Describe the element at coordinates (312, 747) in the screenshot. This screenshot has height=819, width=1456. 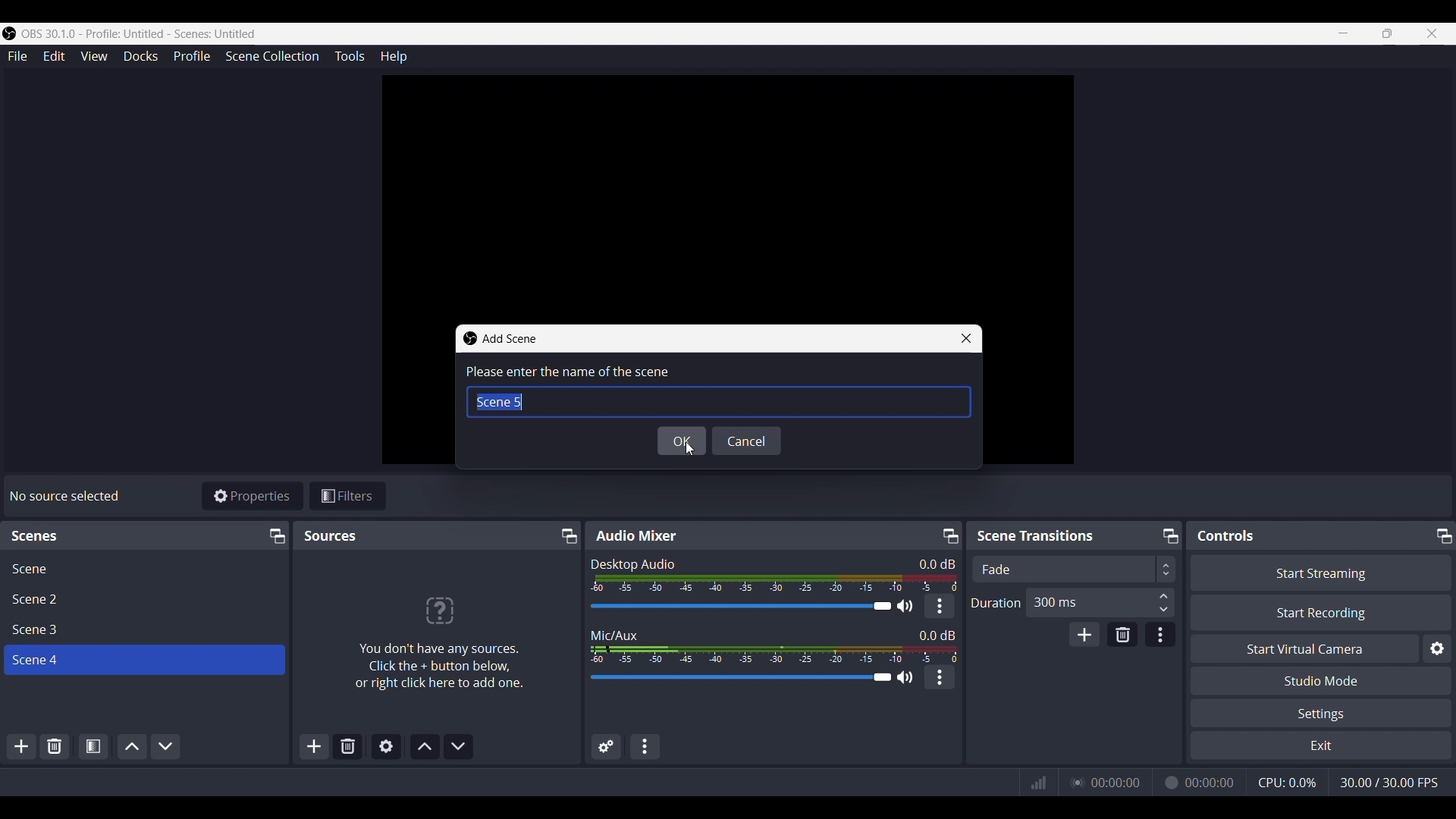
I see `Add Sources` at that location.